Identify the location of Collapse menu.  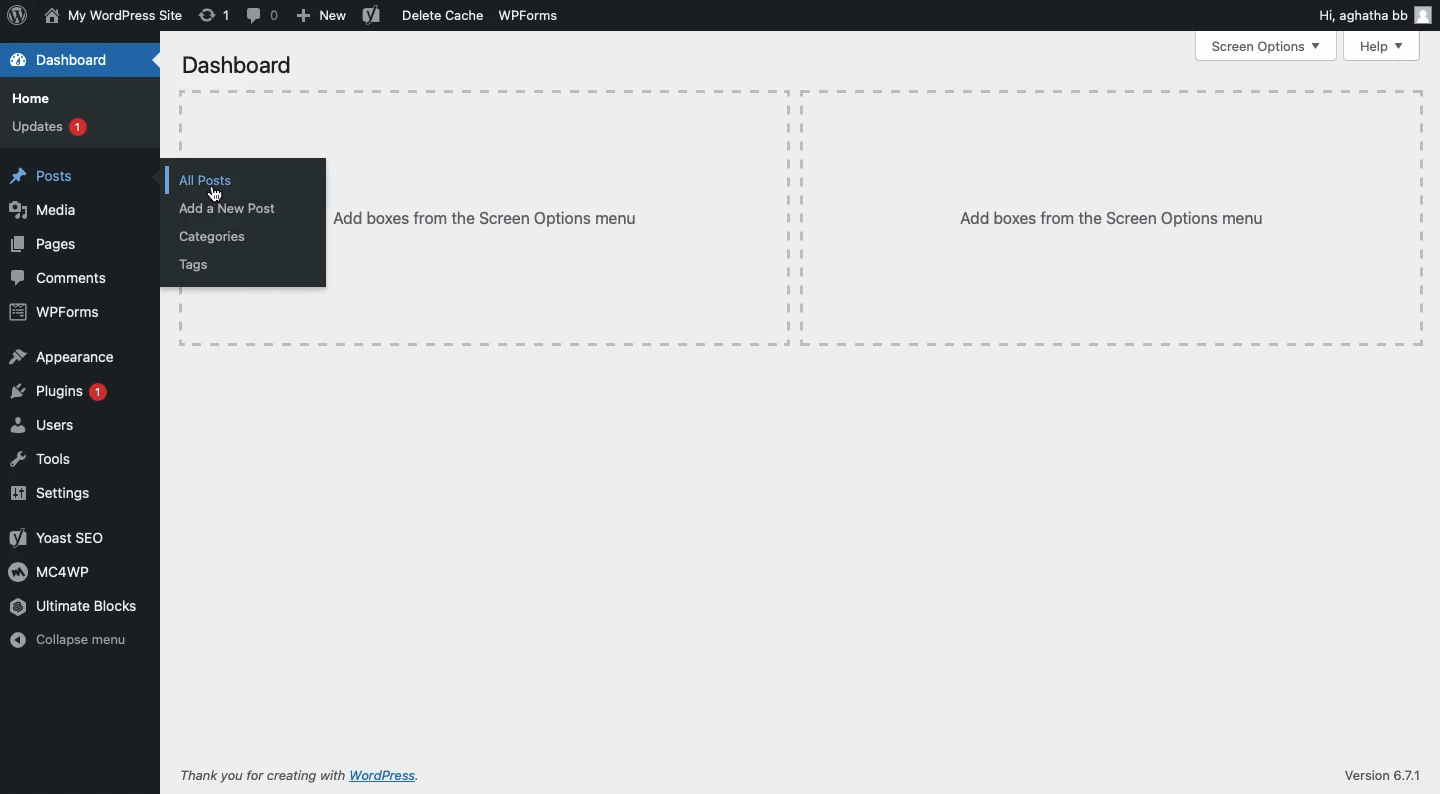
(74, 640).